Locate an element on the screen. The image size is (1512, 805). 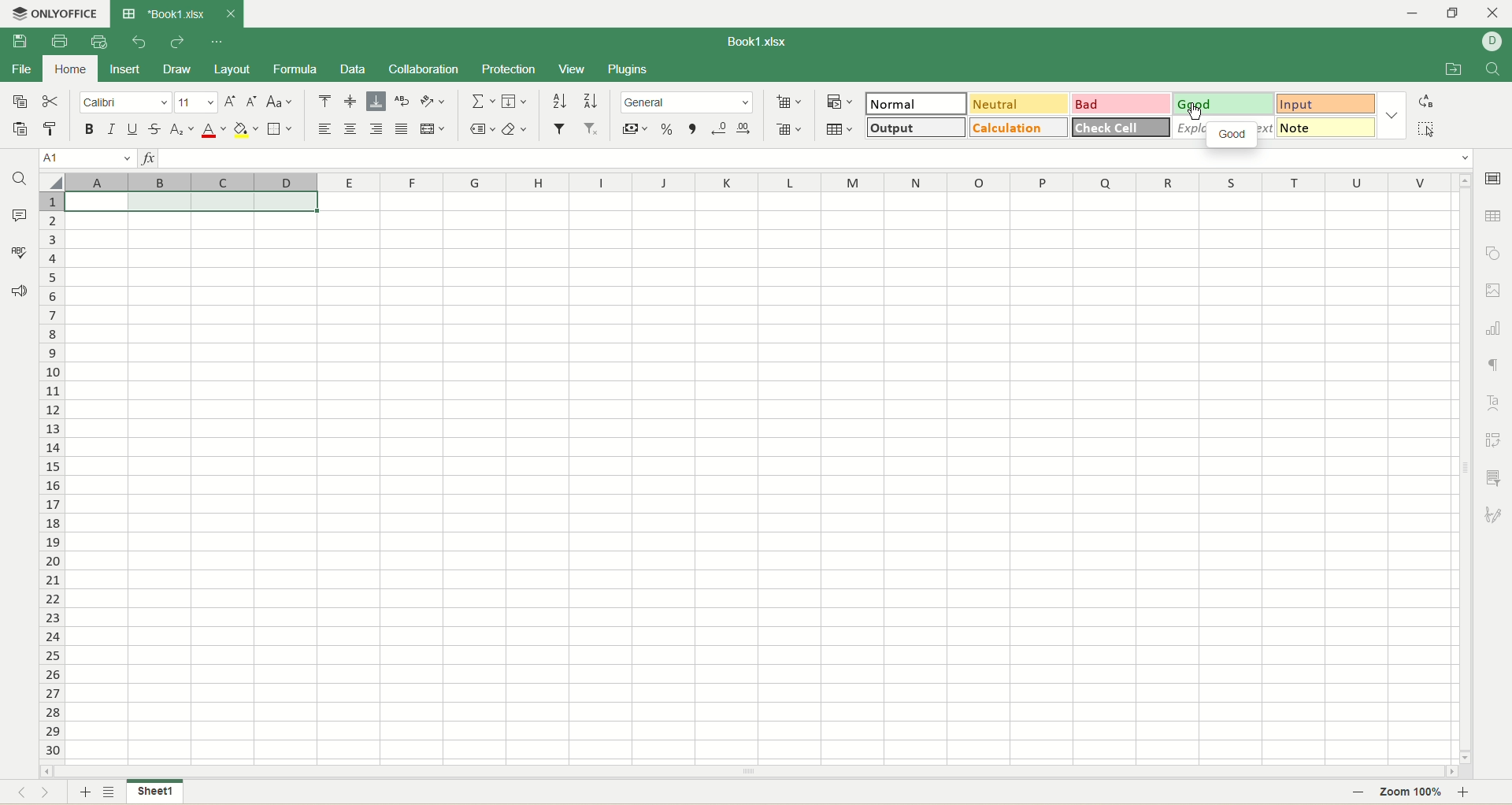
clear is located at coordinates (514, 128).